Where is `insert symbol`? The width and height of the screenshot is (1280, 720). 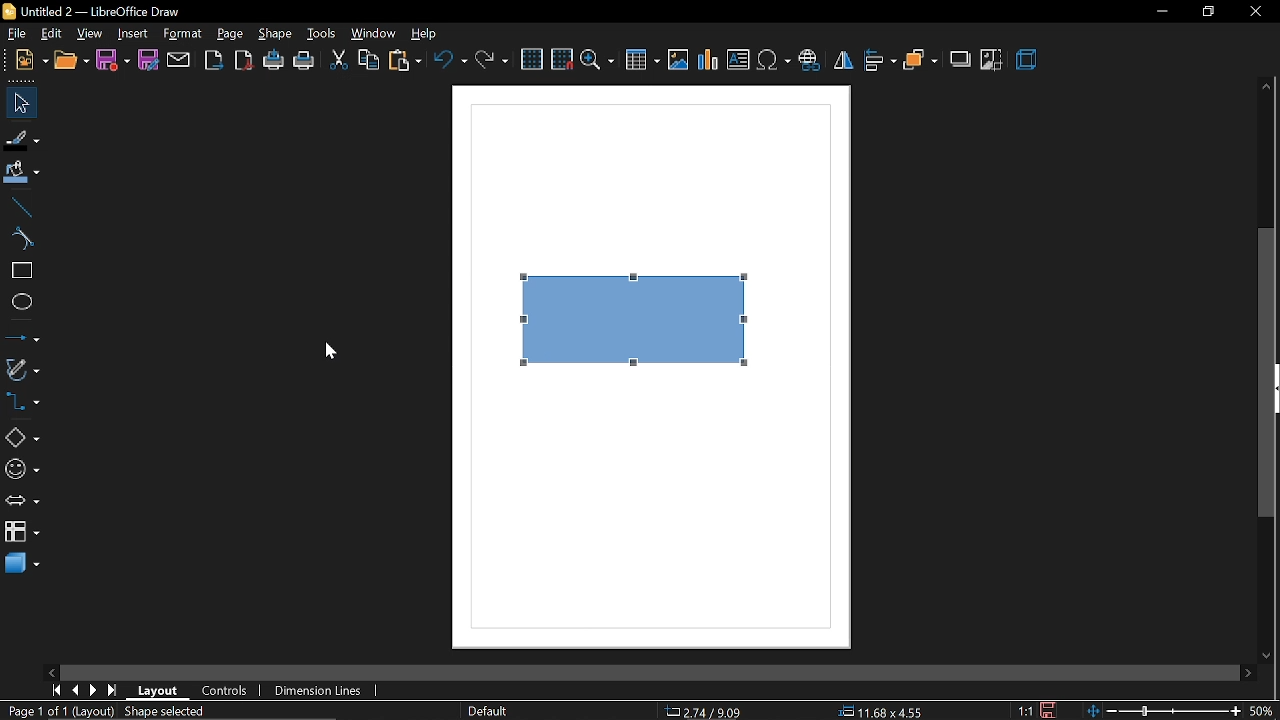
insert symbol is located at coordinates (773, 61).